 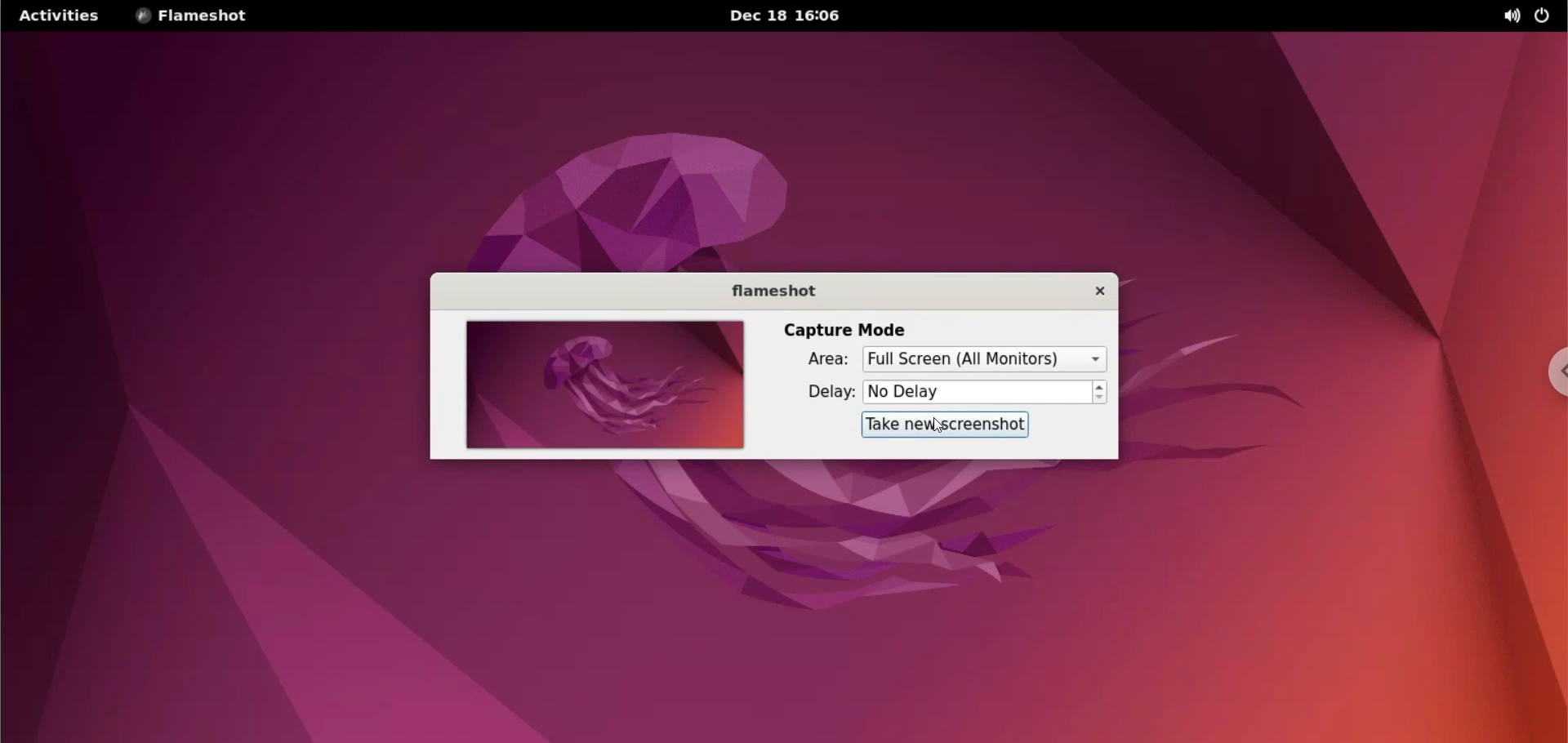 What do you see at coordinates (944, 425) in the screenshot?
I see `take screenshot` at bounding box center [944, 425].